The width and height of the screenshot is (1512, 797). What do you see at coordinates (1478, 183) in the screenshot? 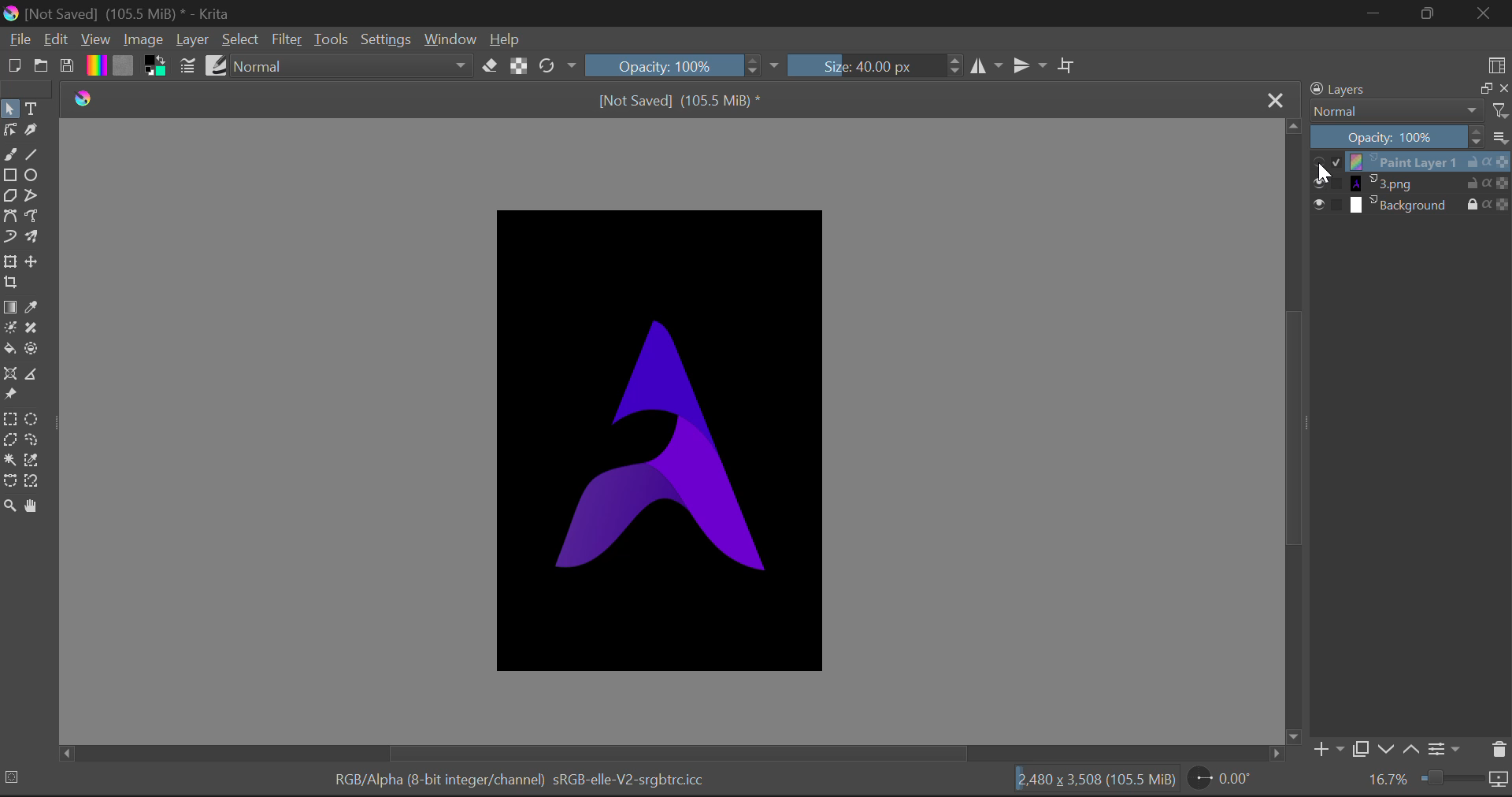
I see `lock layer` at bounding box center [1478, 183].